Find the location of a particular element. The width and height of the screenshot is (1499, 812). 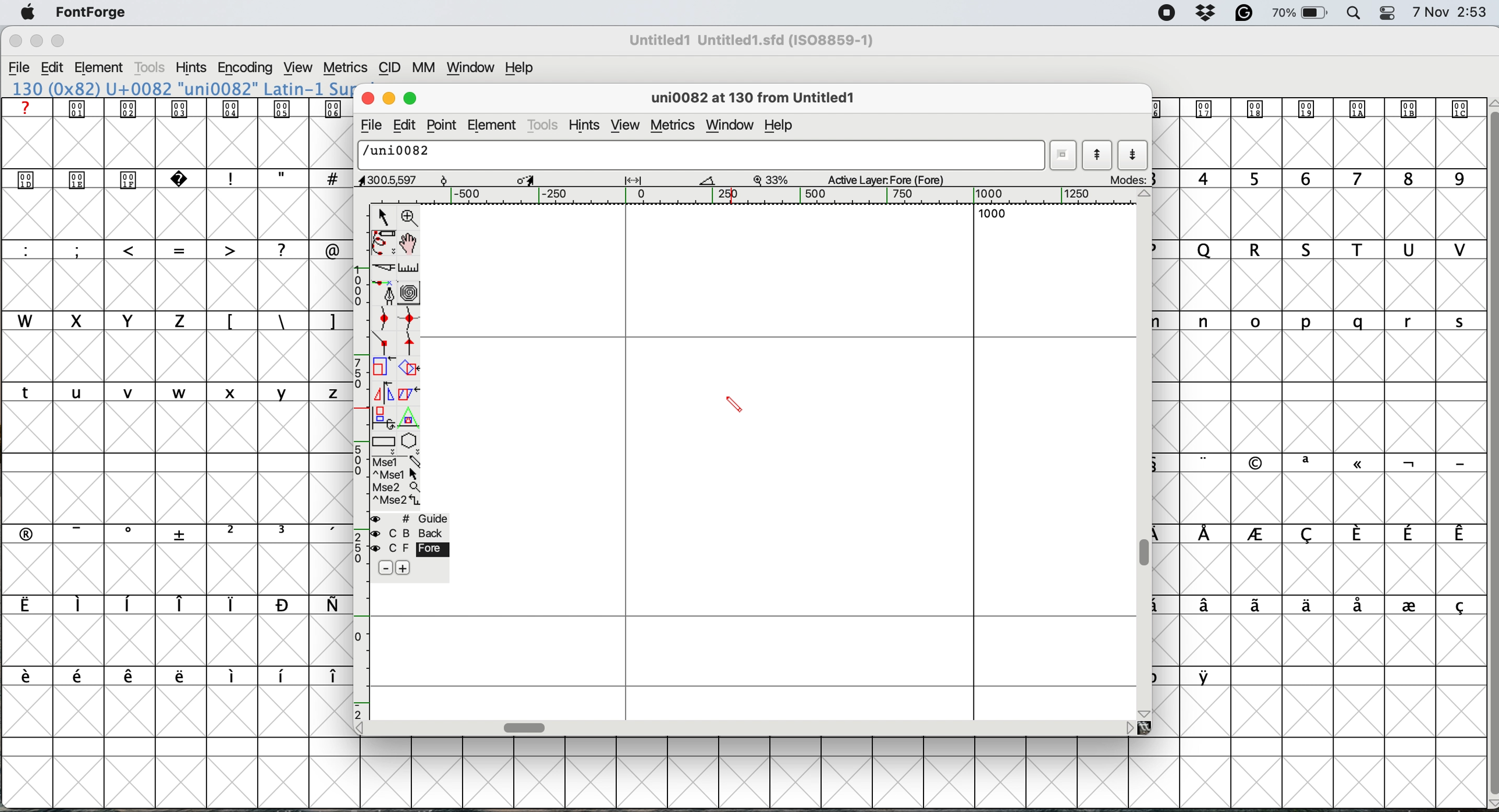

point is located at coordinates (445, 125).